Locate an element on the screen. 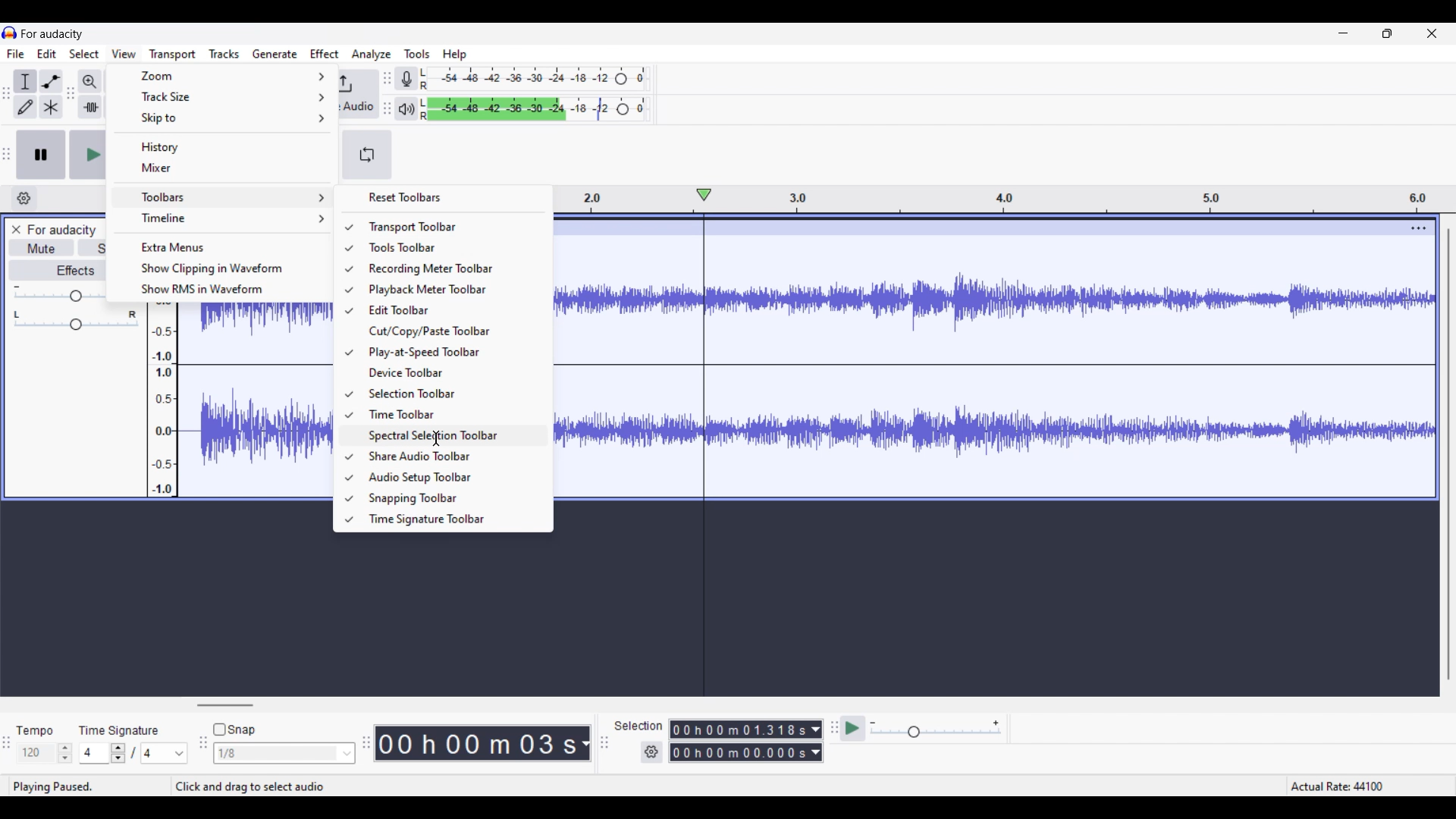 The image size is (1456, 819). Playback meter is located at coordinates (405, 108).